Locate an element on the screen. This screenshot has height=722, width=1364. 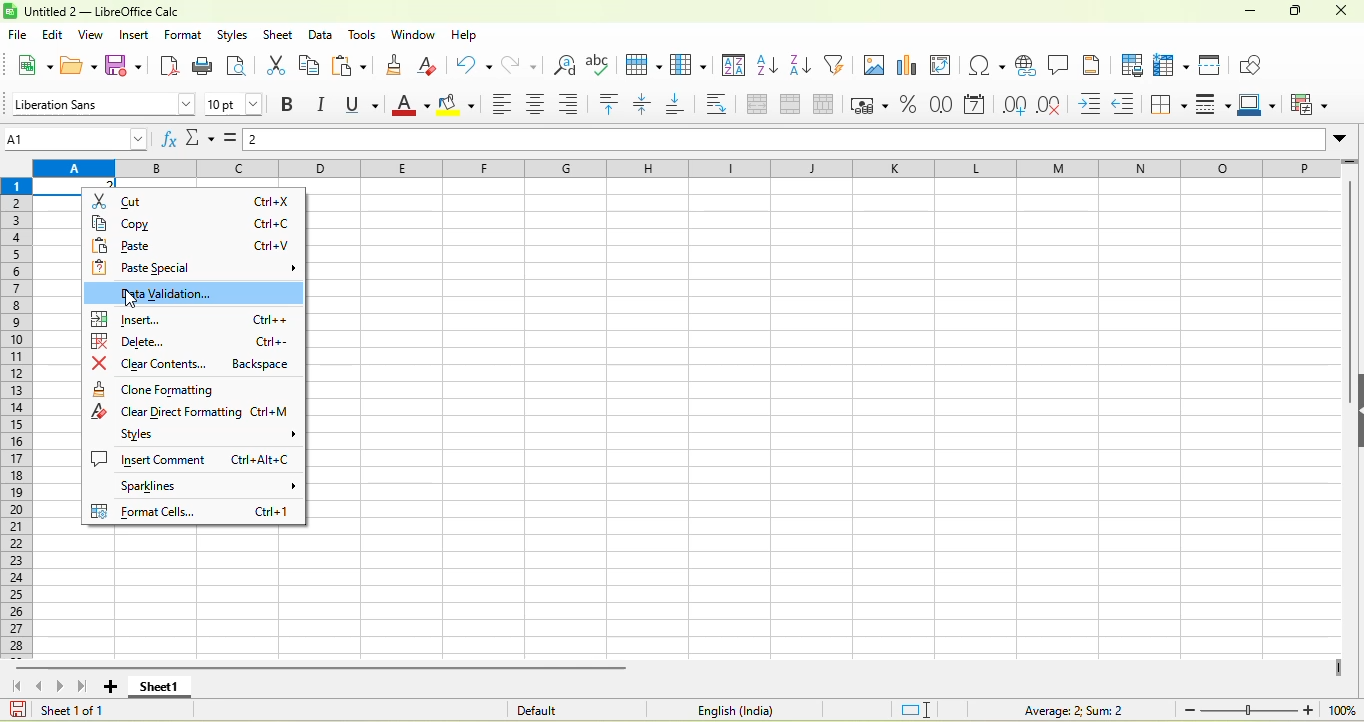
font size is located at coordinates (232, 104).